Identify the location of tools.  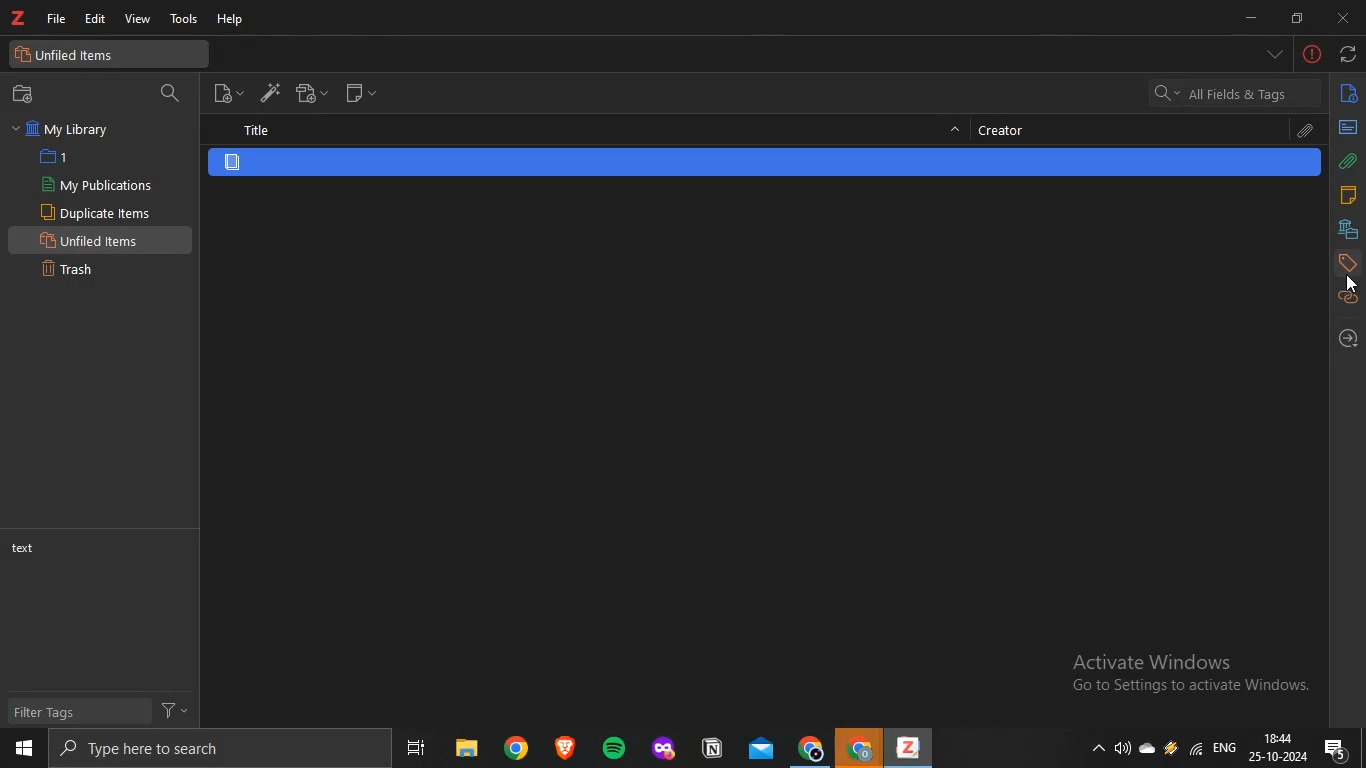
(184, 16).